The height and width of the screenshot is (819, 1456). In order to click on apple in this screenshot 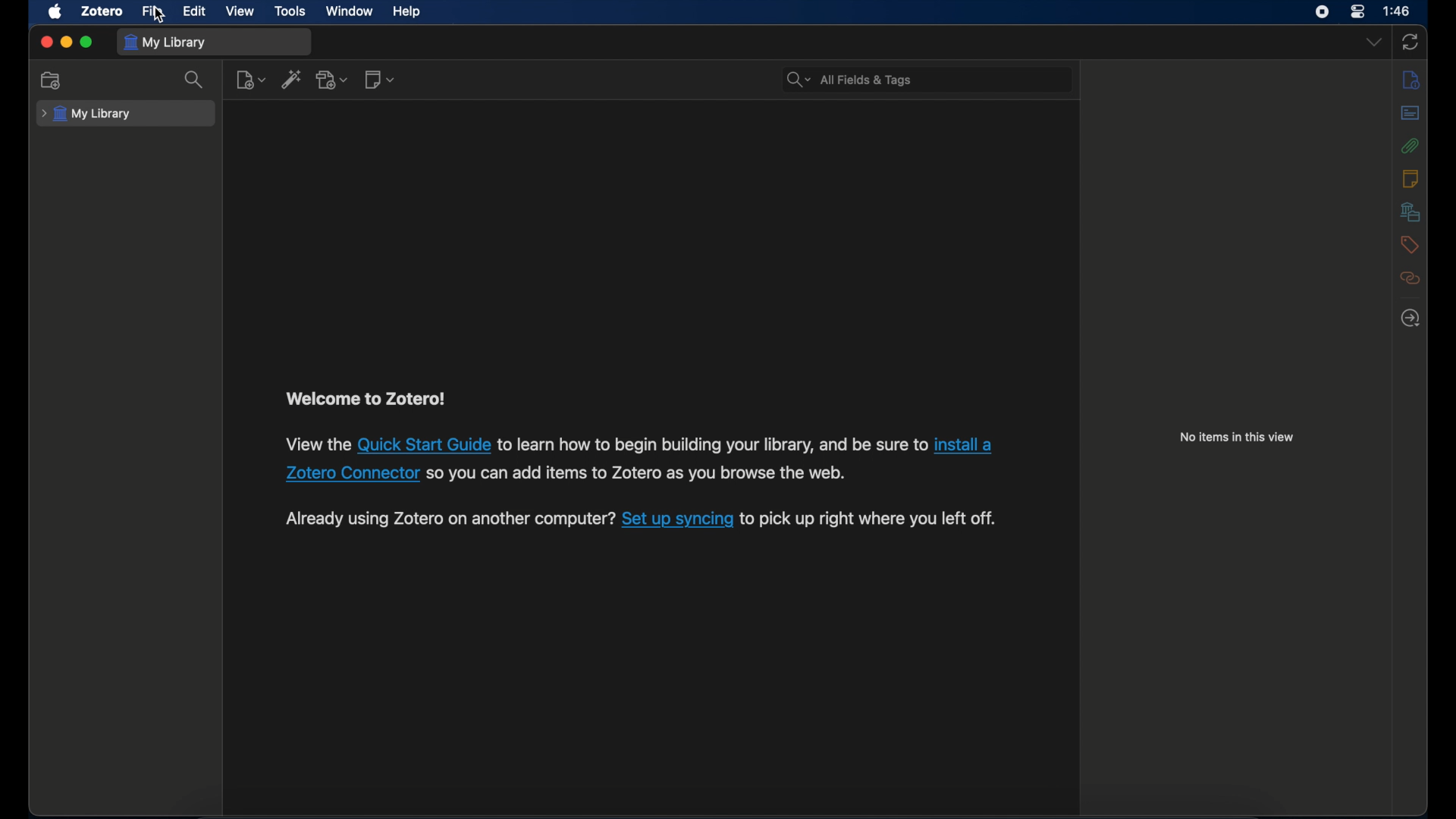, I will do `click(54, 12)`.